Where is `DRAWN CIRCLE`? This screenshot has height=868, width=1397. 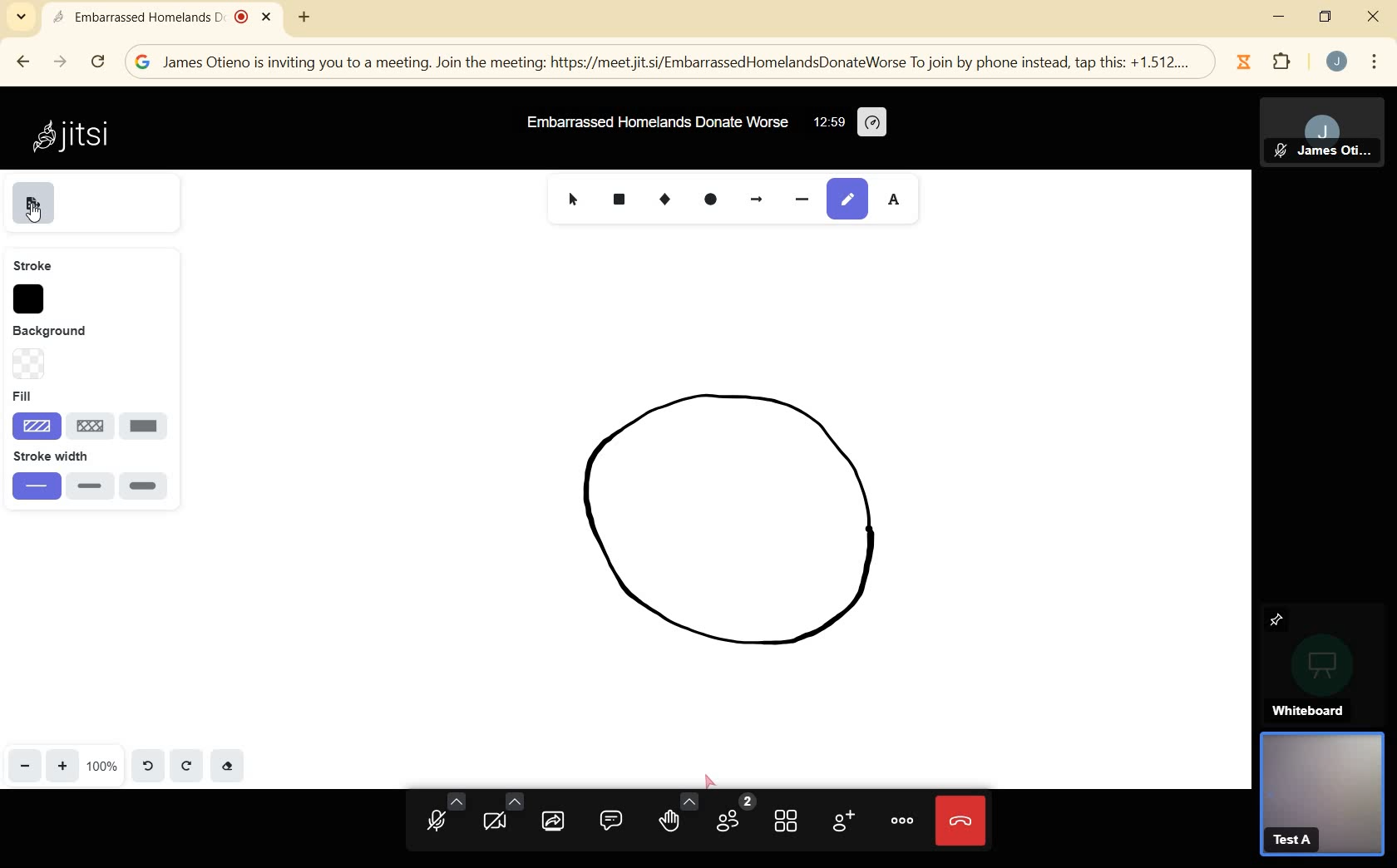
DRAWN CIRCLE is located at coordinates (737, 529).